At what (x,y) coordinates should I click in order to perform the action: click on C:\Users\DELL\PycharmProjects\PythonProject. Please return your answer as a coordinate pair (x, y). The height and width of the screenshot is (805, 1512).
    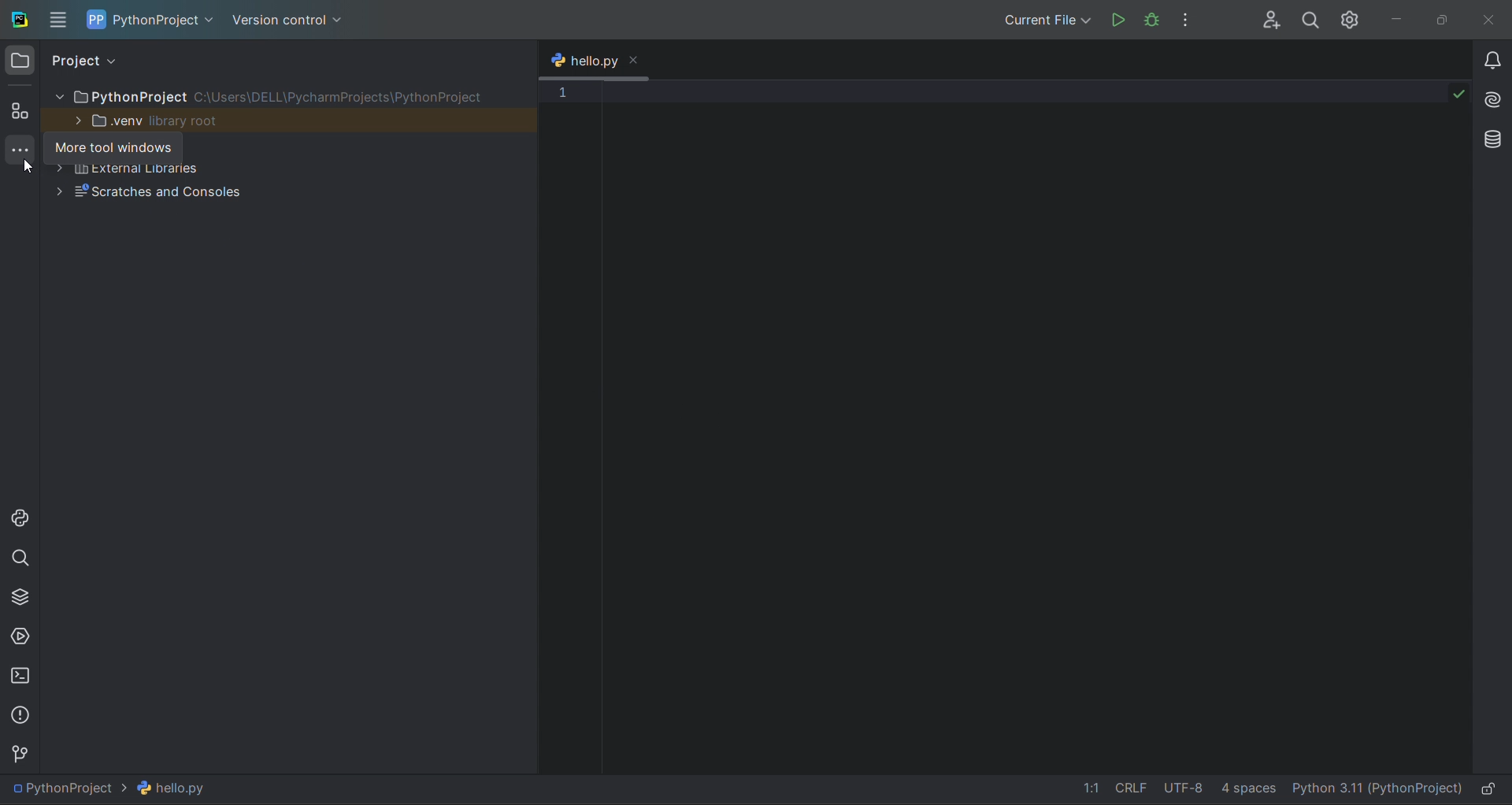
    Looking at the image, I should click on (342, 97).